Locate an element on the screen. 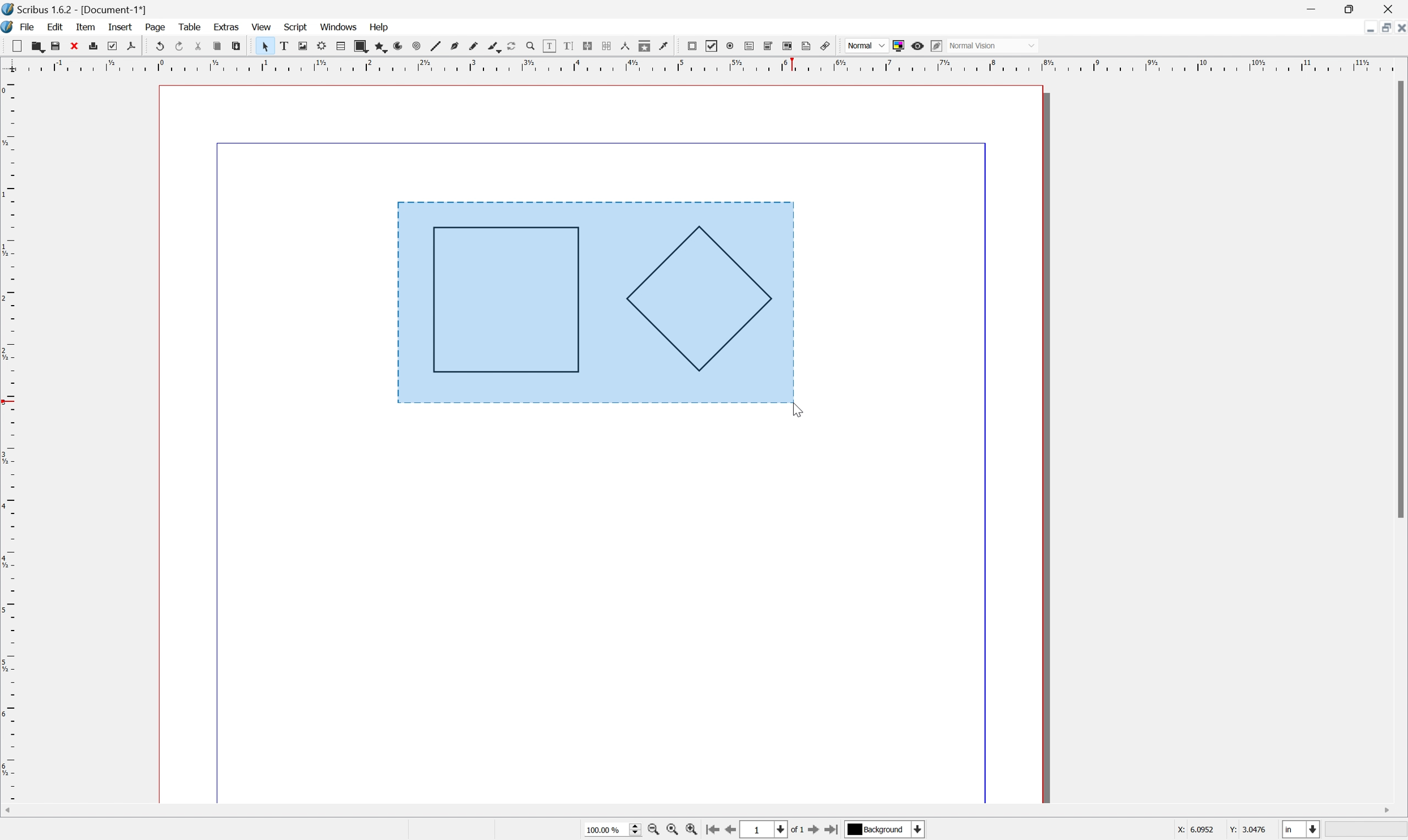  Scribus 1.6.2 - [Document-1*] is located at coordinates (90, 8).